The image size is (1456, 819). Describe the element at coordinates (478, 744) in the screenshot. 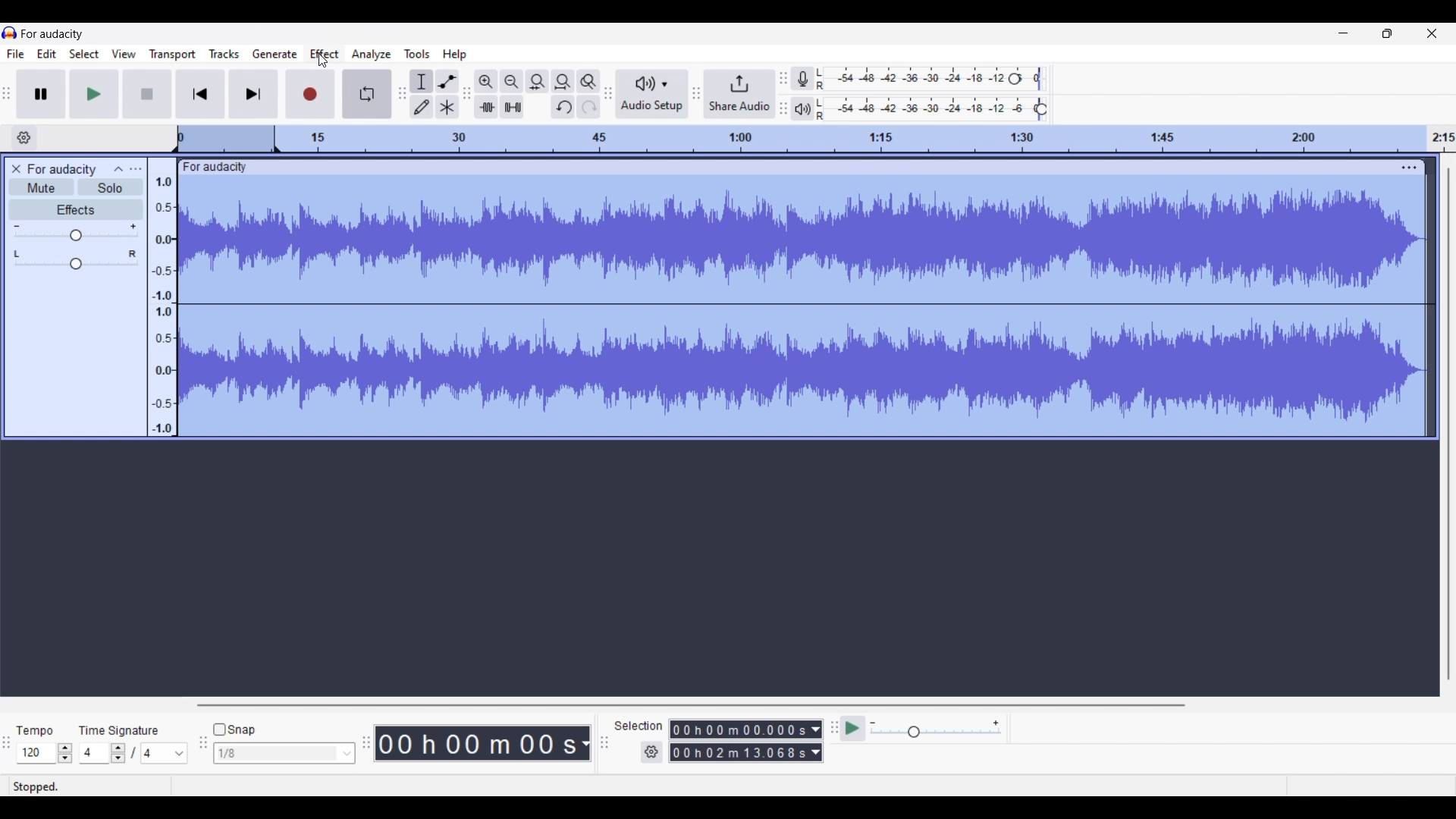

I see `Duration of recorded audio` at that location.